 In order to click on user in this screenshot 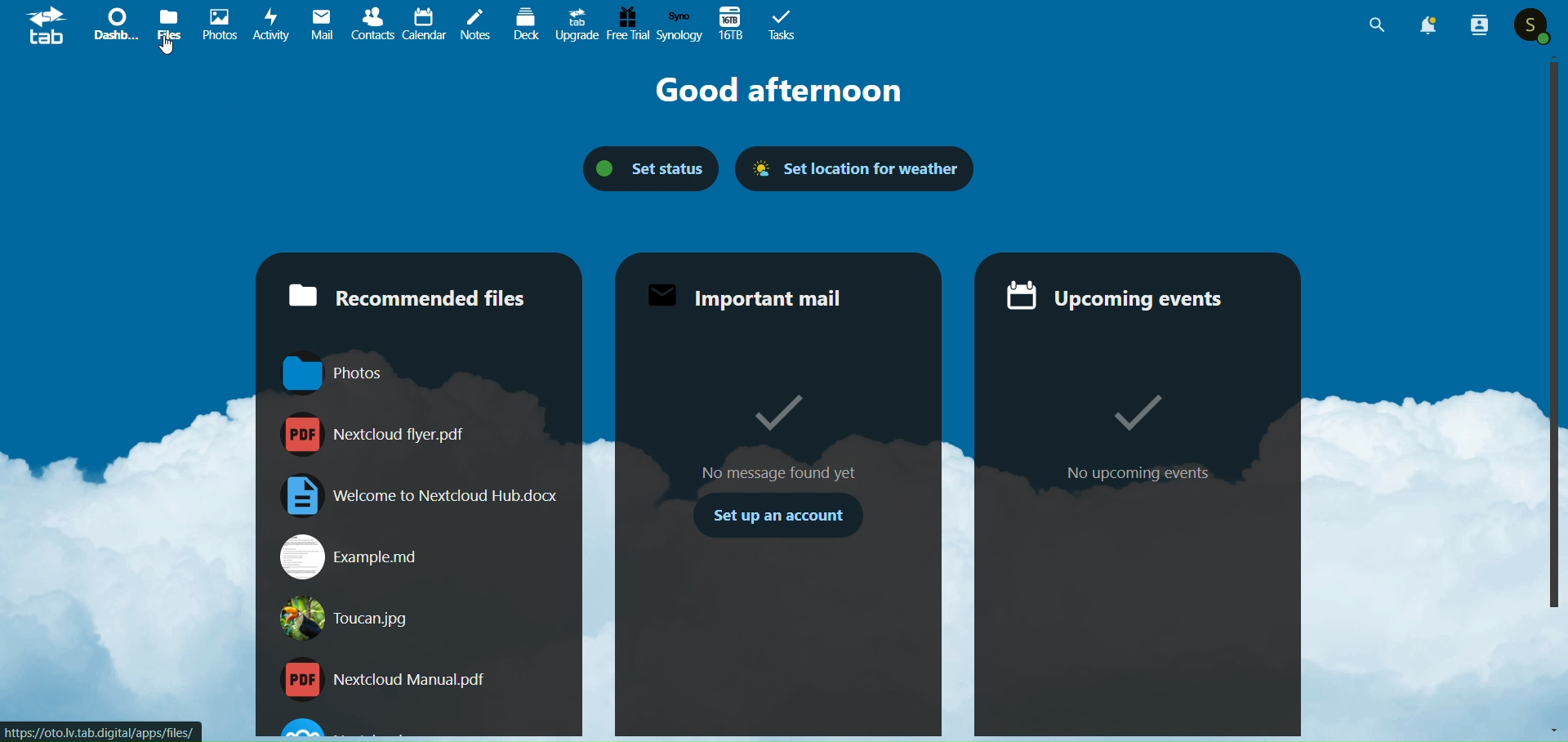, I will do `click(1530, 25)`.